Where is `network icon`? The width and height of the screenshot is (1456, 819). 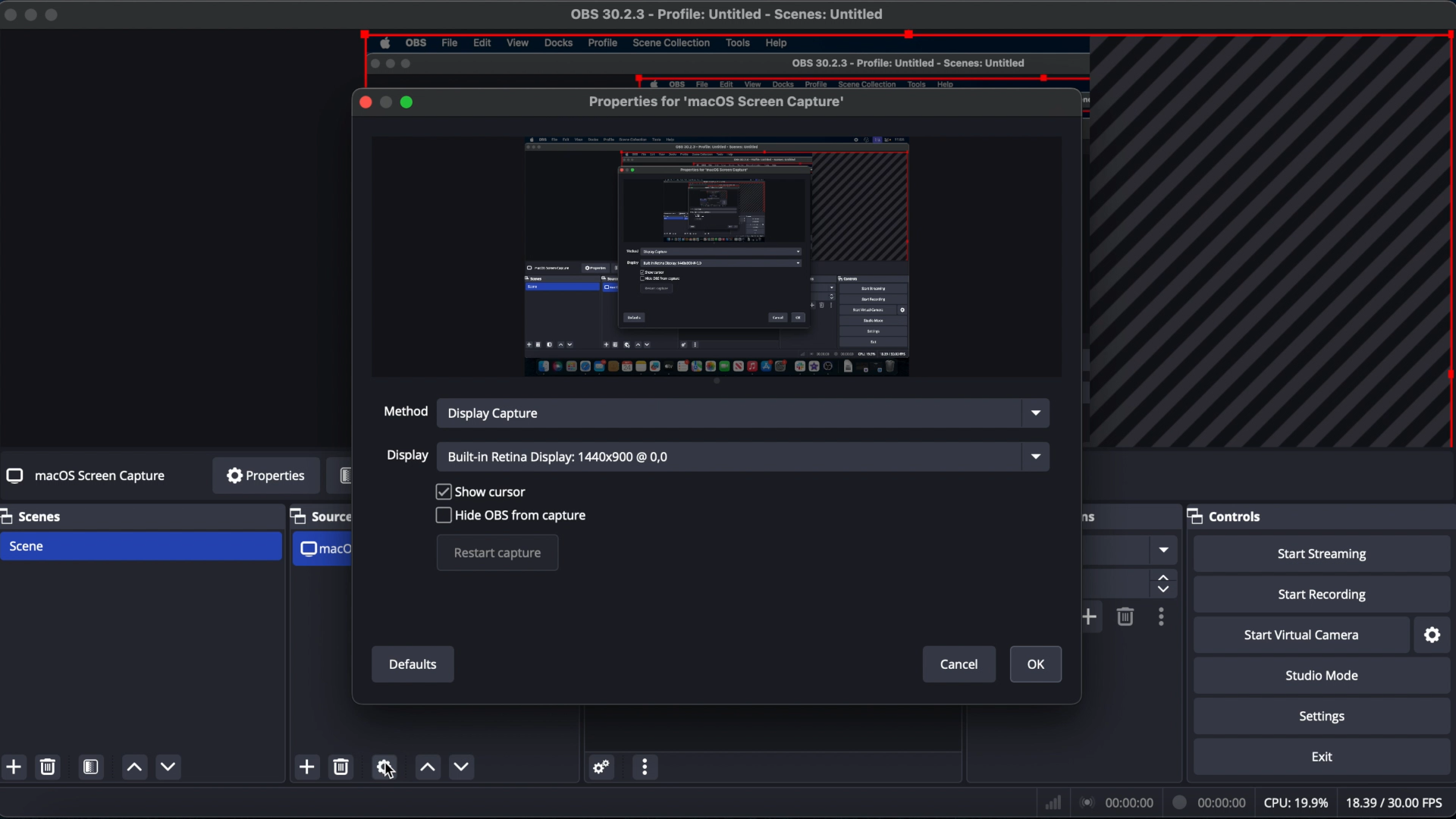
network icon is located at coordinates (1051, 802).